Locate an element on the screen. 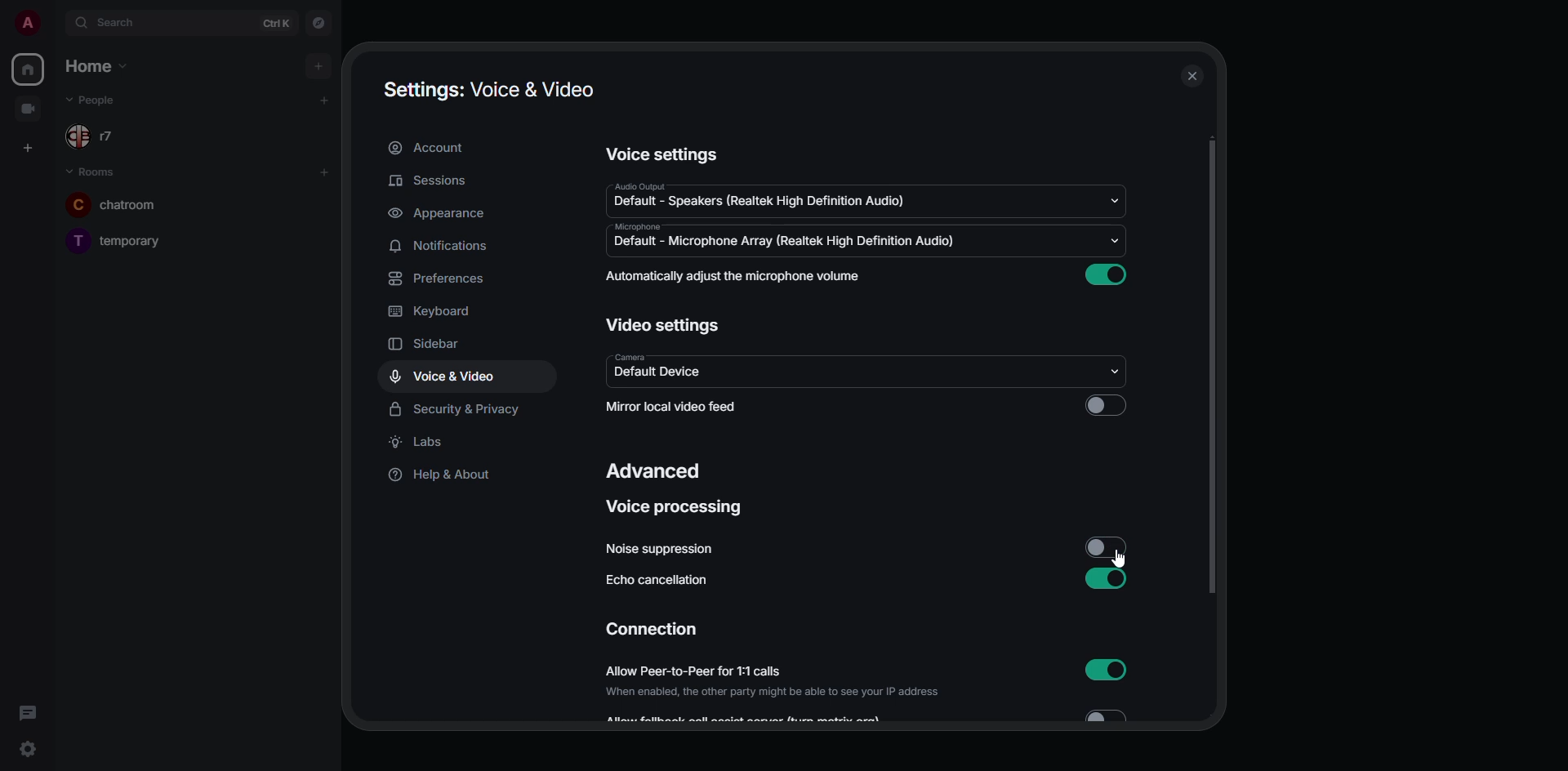 The height and width of the screenshot is (771, 1568). home is located at coordinates (28, 69).